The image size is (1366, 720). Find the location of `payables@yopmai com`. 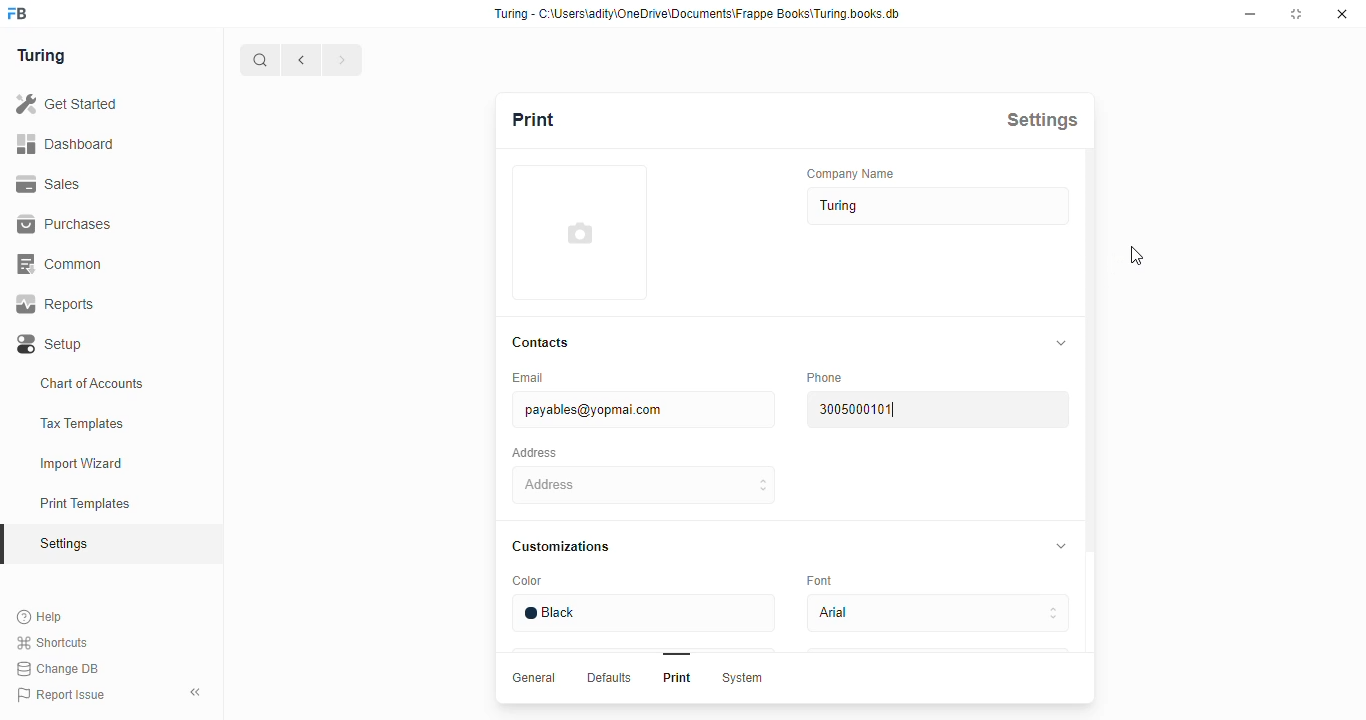

payables@yopmai com is located at coordinates (636, 411).